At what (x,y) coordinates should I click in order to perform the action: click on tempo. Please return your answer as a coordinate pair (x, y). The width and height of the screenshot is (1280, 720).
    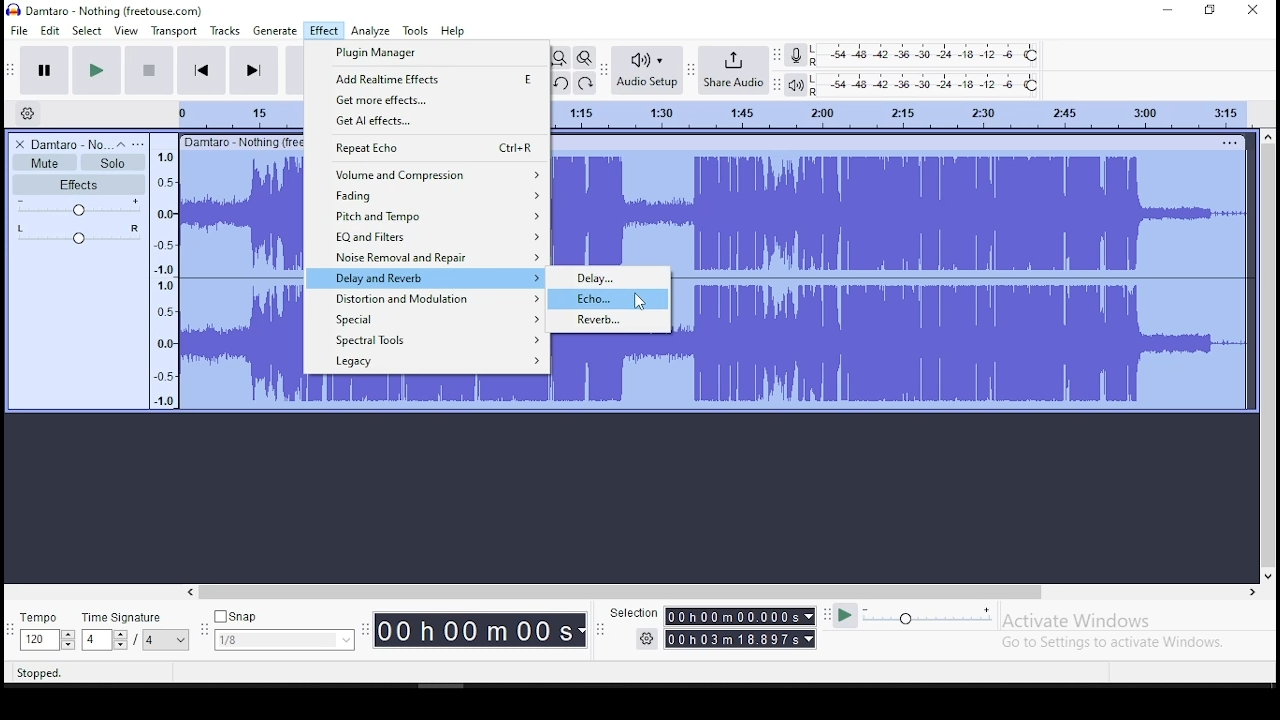
    Looking at the image, I should click on (48, 618).